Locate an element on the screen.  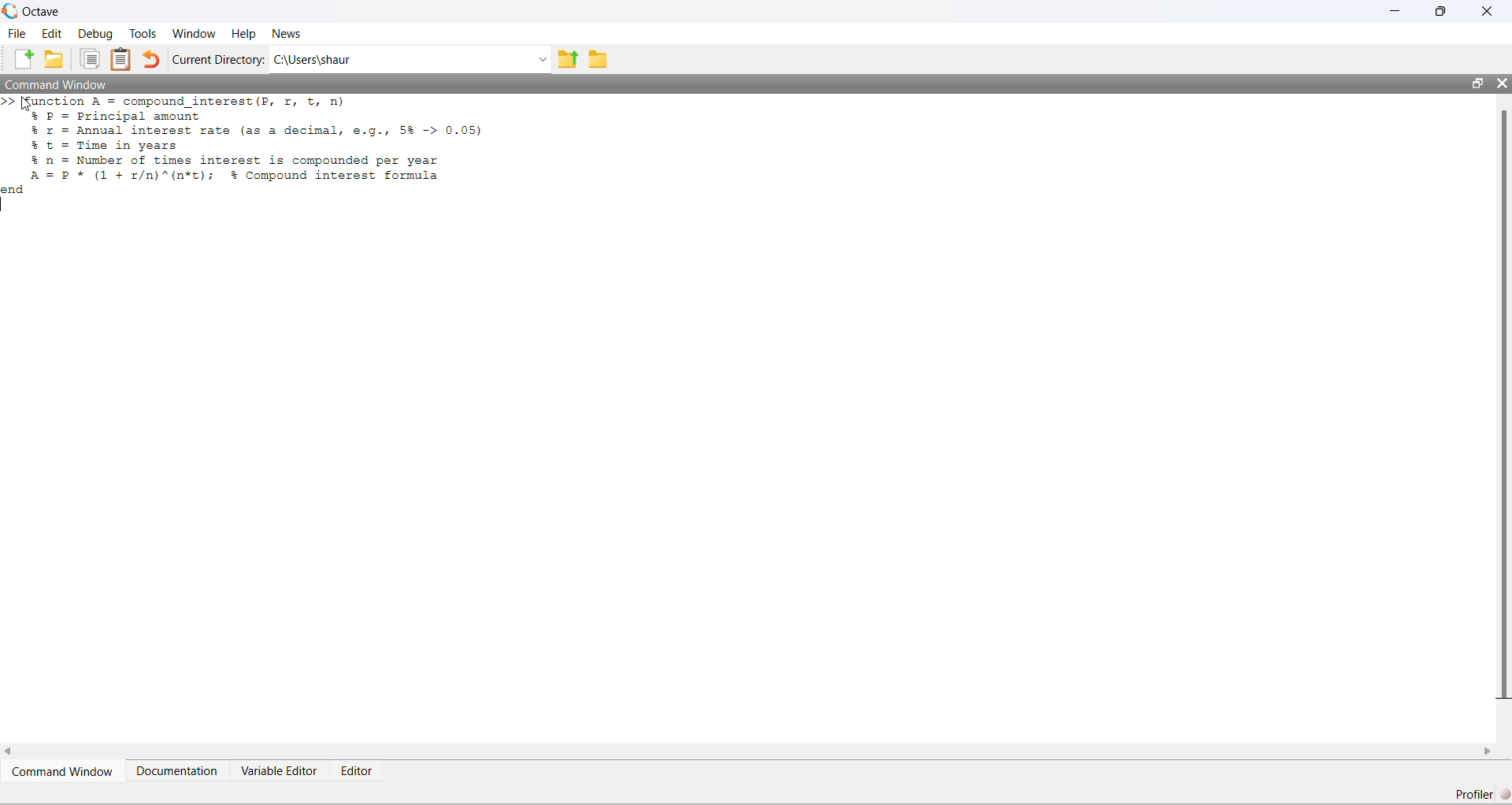
Current Directory: is located at coordinates (218, 60).